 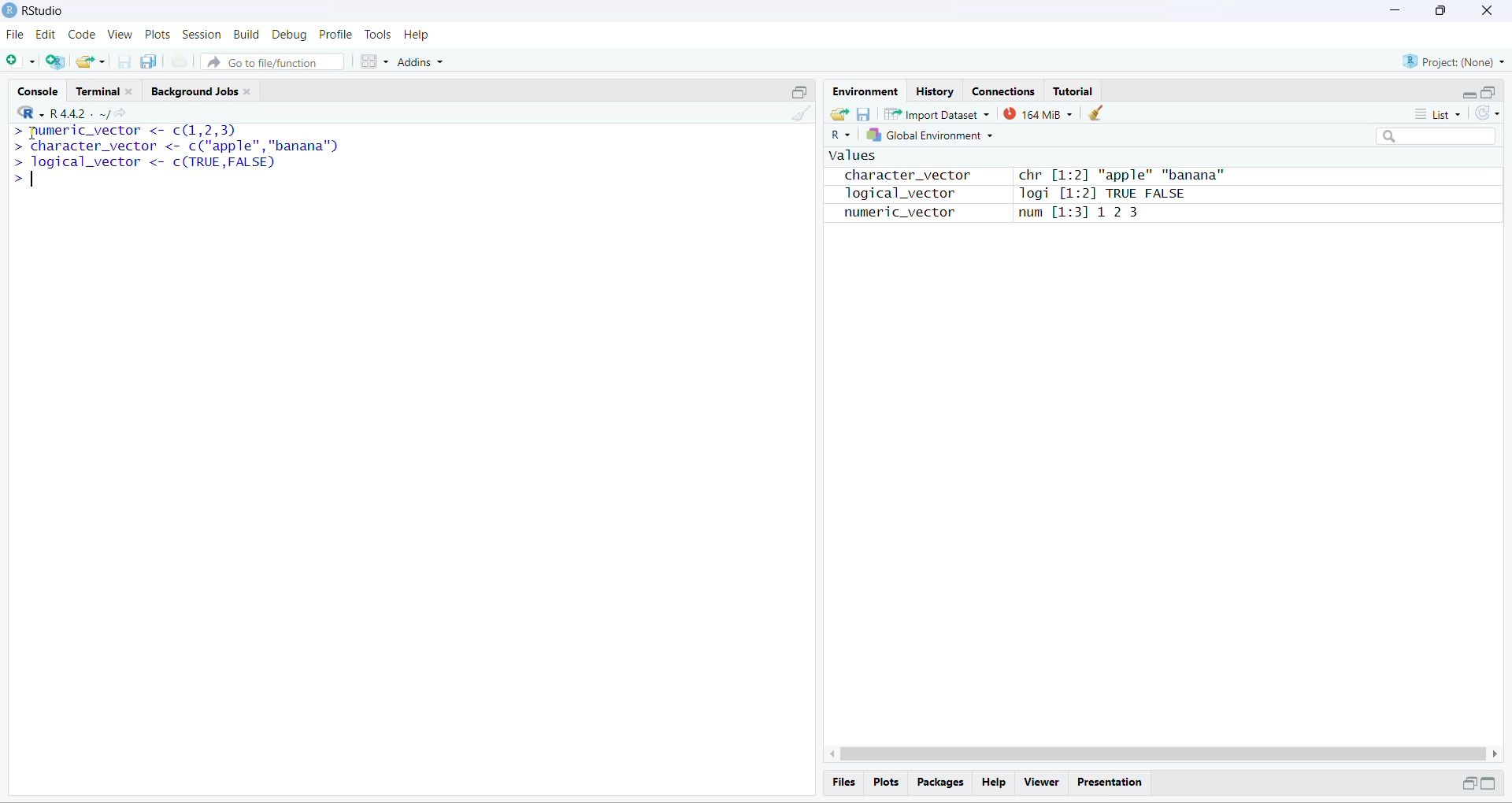 What do you see at coordinates (1111, 783) in the screenshot?
I see `Presentation` at bounding box center [1111, 783].